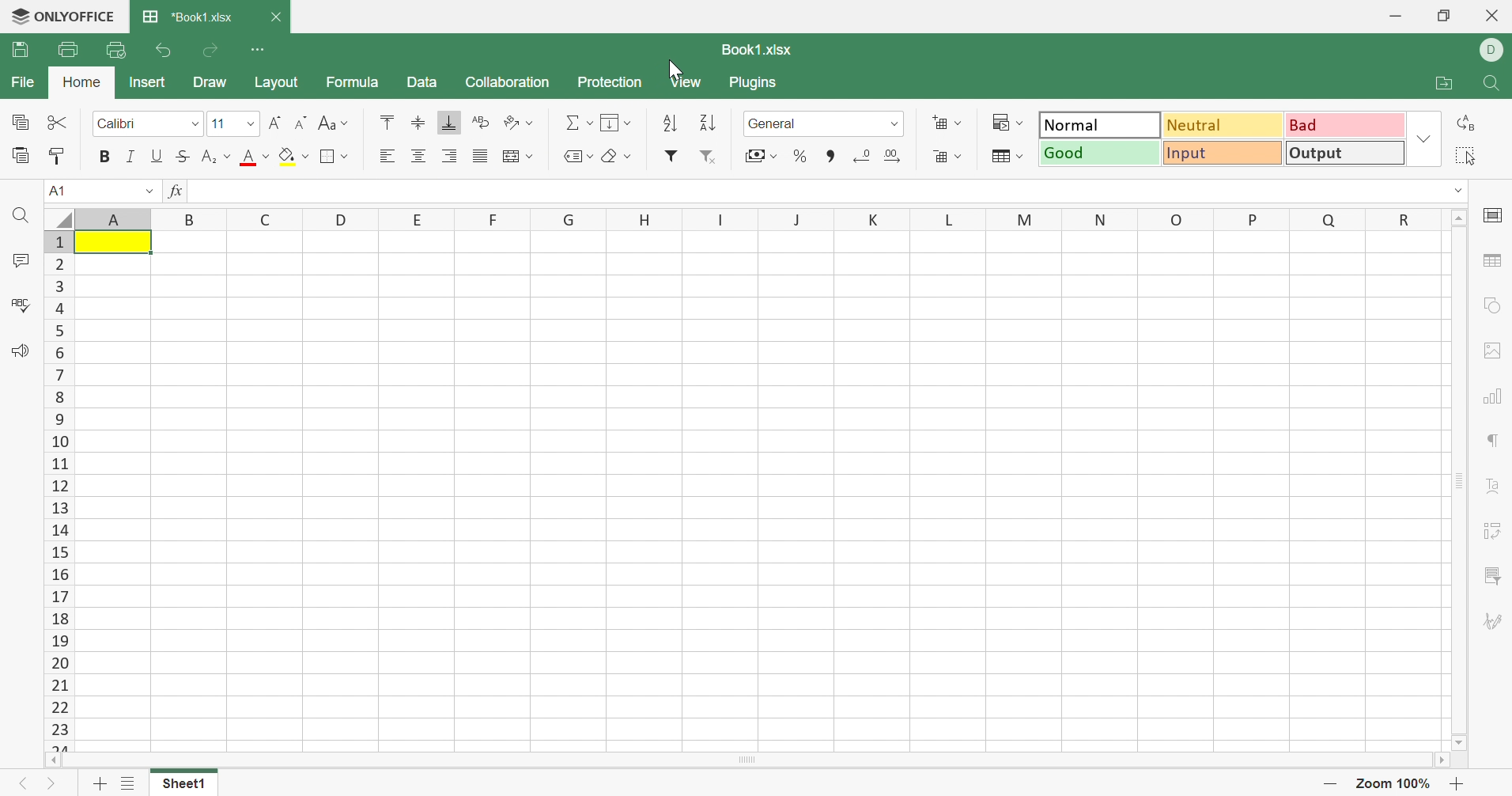 This screenshot has width=1512, height=796. Describe the element at coordinates (82, 80) in the screenshot. I see `Home` at that location.